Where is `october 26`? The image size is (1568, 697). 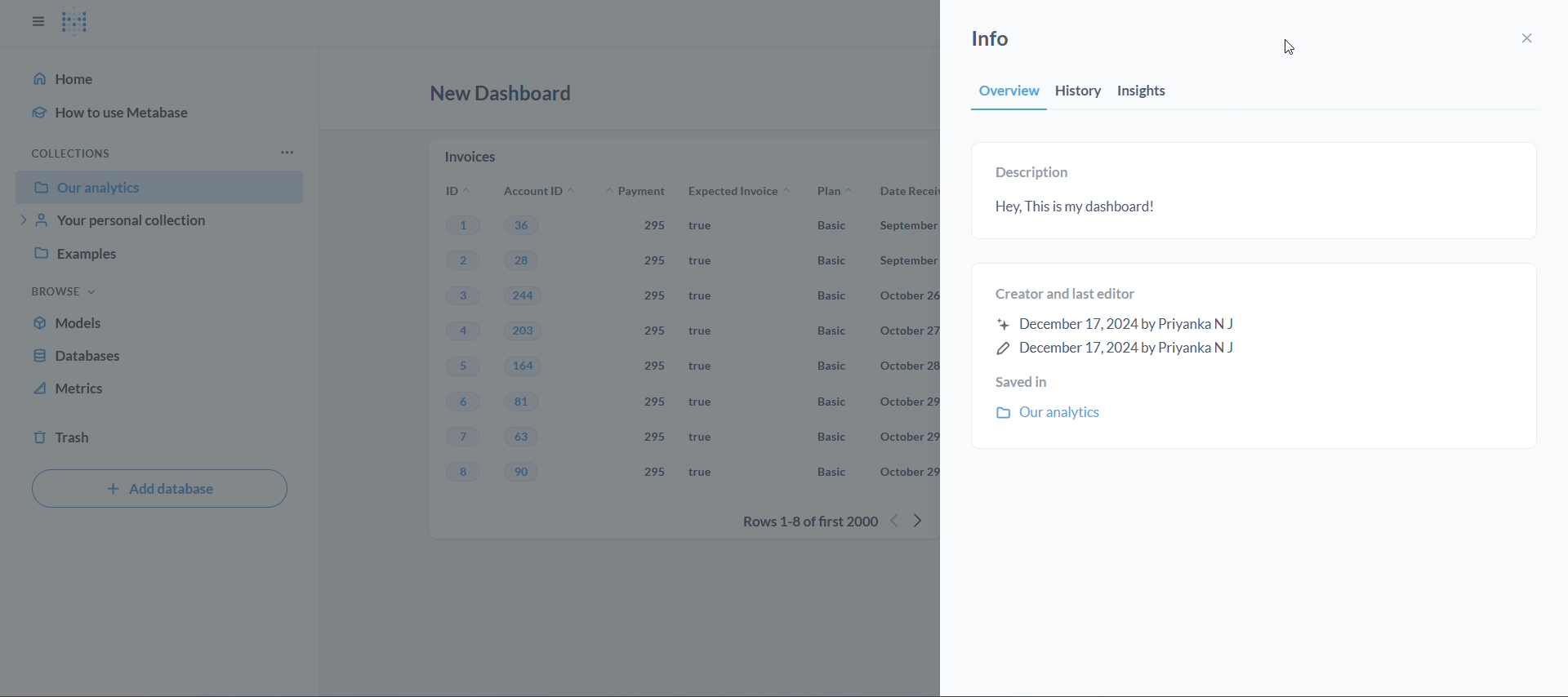 october 26 is located at coordinates (909, 295).